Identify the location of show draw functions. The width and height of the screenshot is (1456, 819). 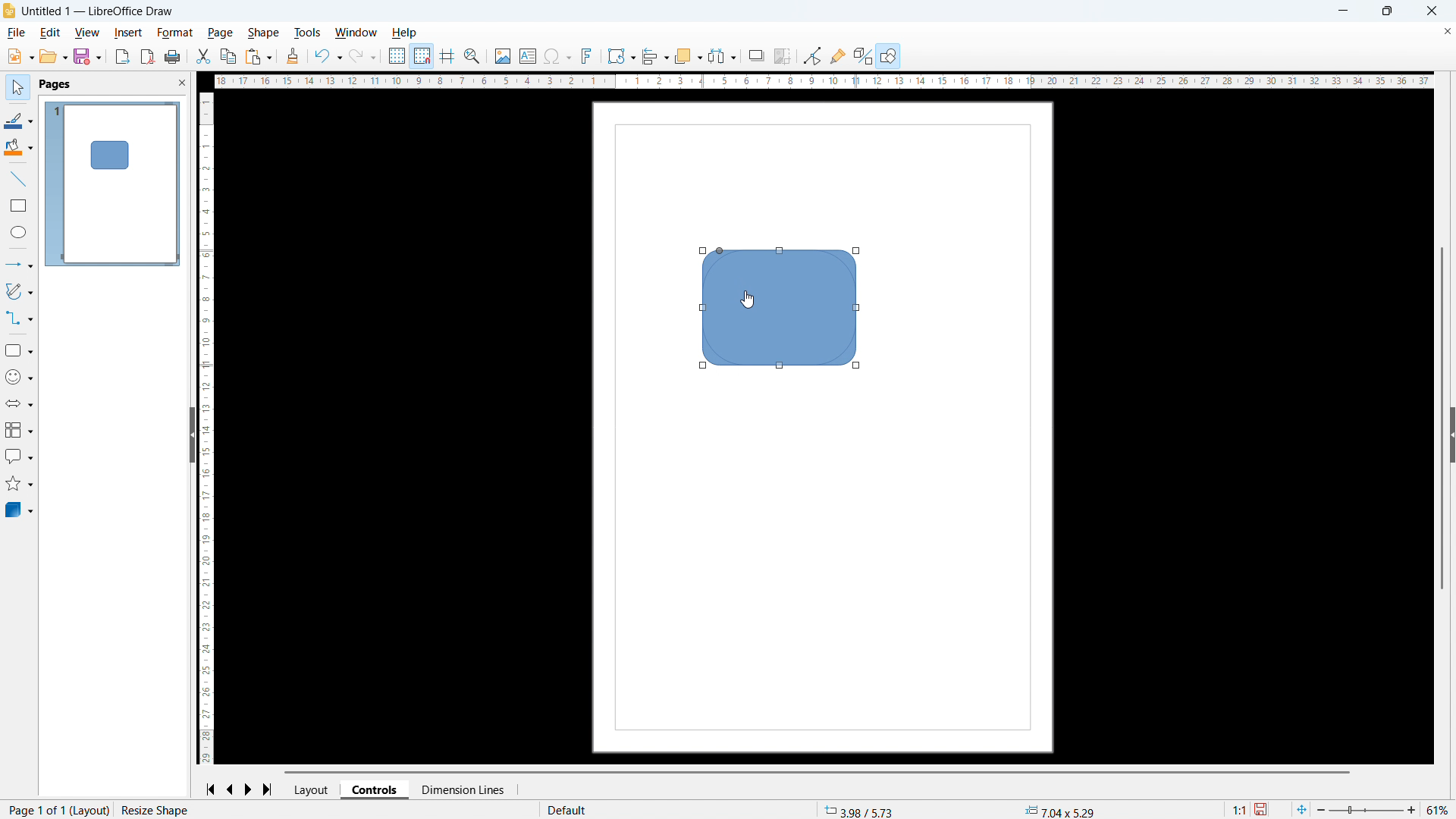
(888, 55).